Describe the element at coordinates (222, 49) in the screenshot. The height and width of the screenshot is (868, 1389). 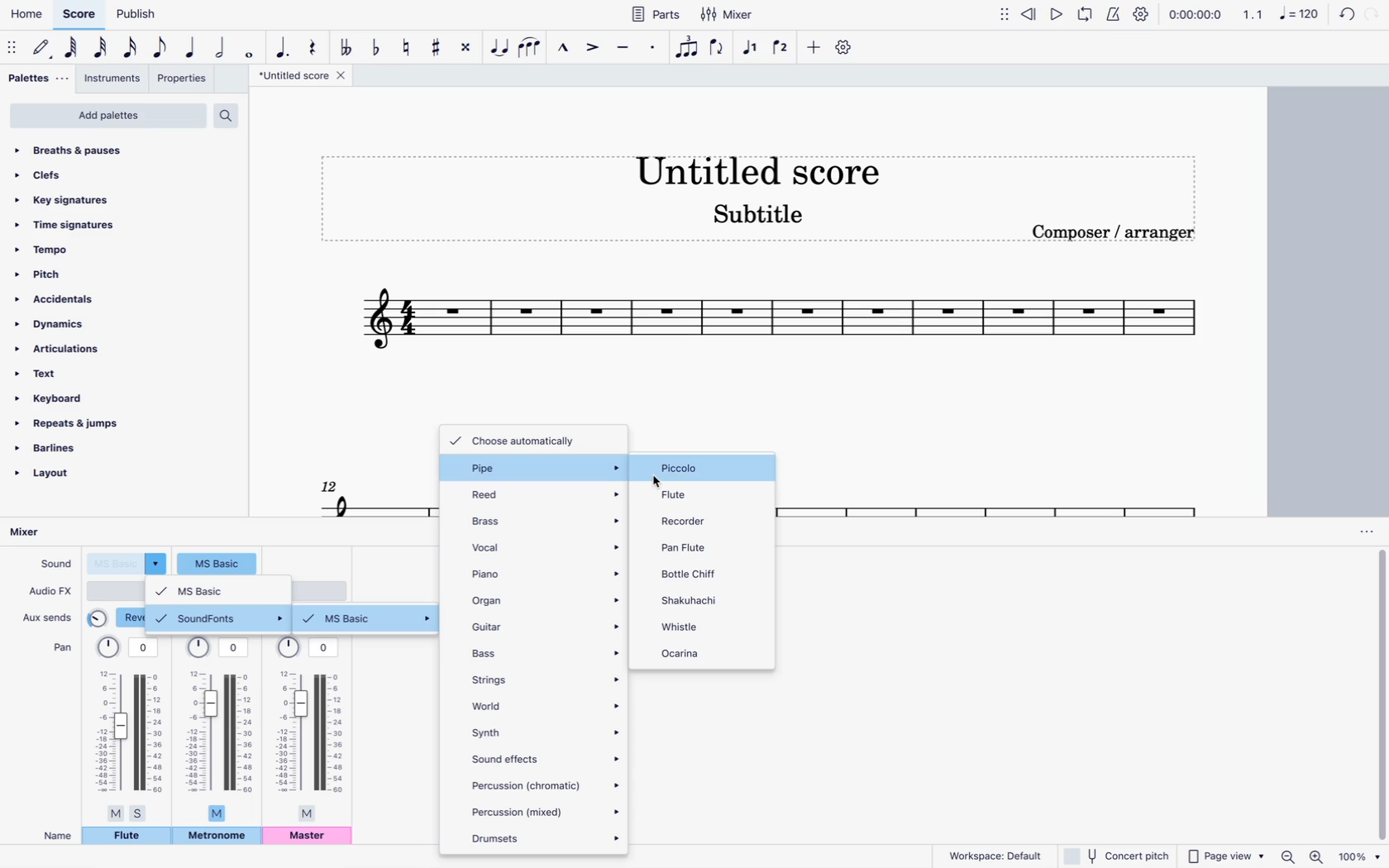
I see `half note` at that location.